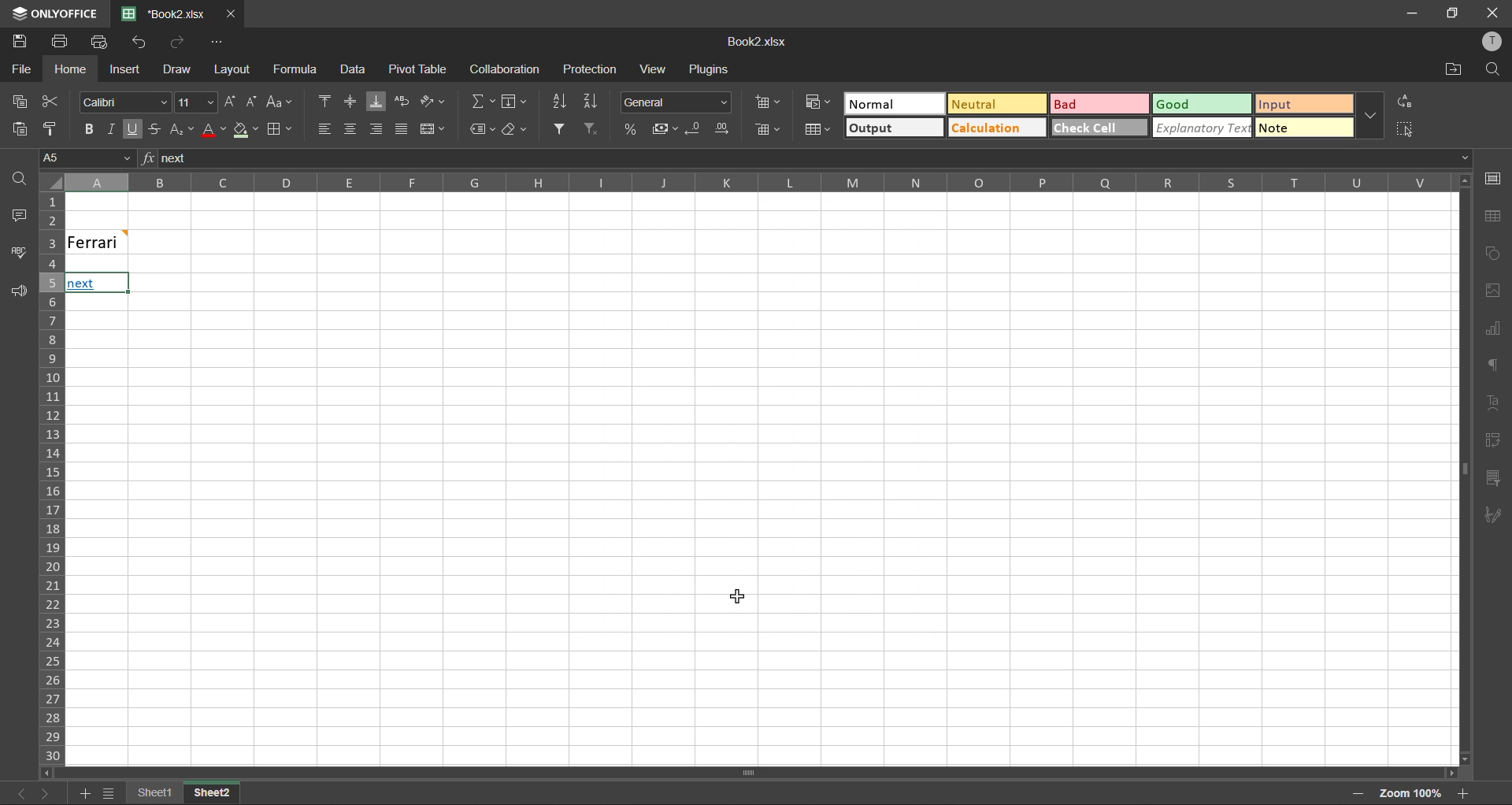 Image resolution: width=1512 pixels, height=805 pixels. What do you see at coordinates (19, 42) in the screenshot?
I see `save` at bounding box center [19, 42].